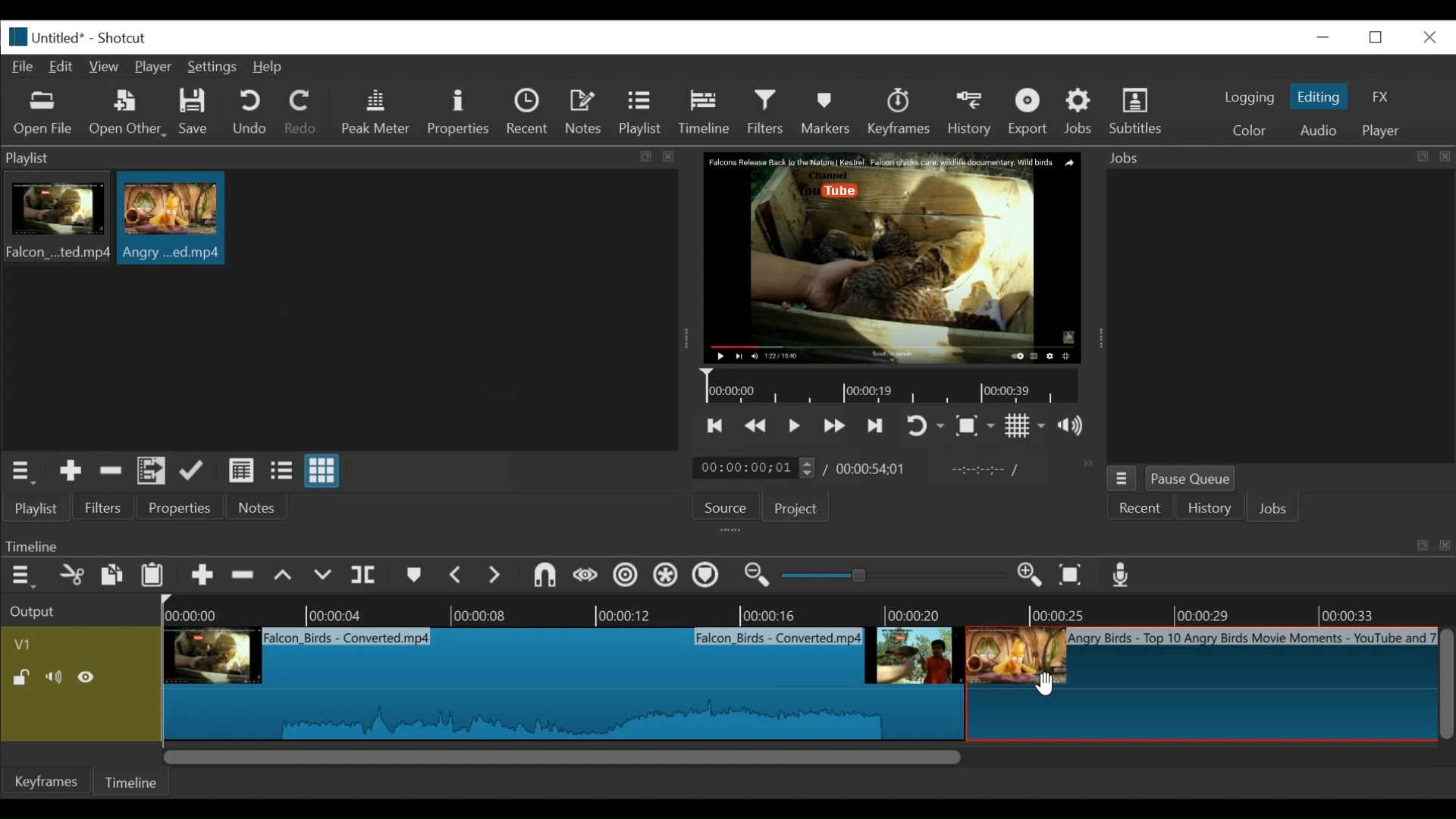 Image resolution: width=1456 pixels, height=819 pixels. What do you see at coordinates (285, 577) in the screenshot?
I see `lift` at bounding box center [285, 577].